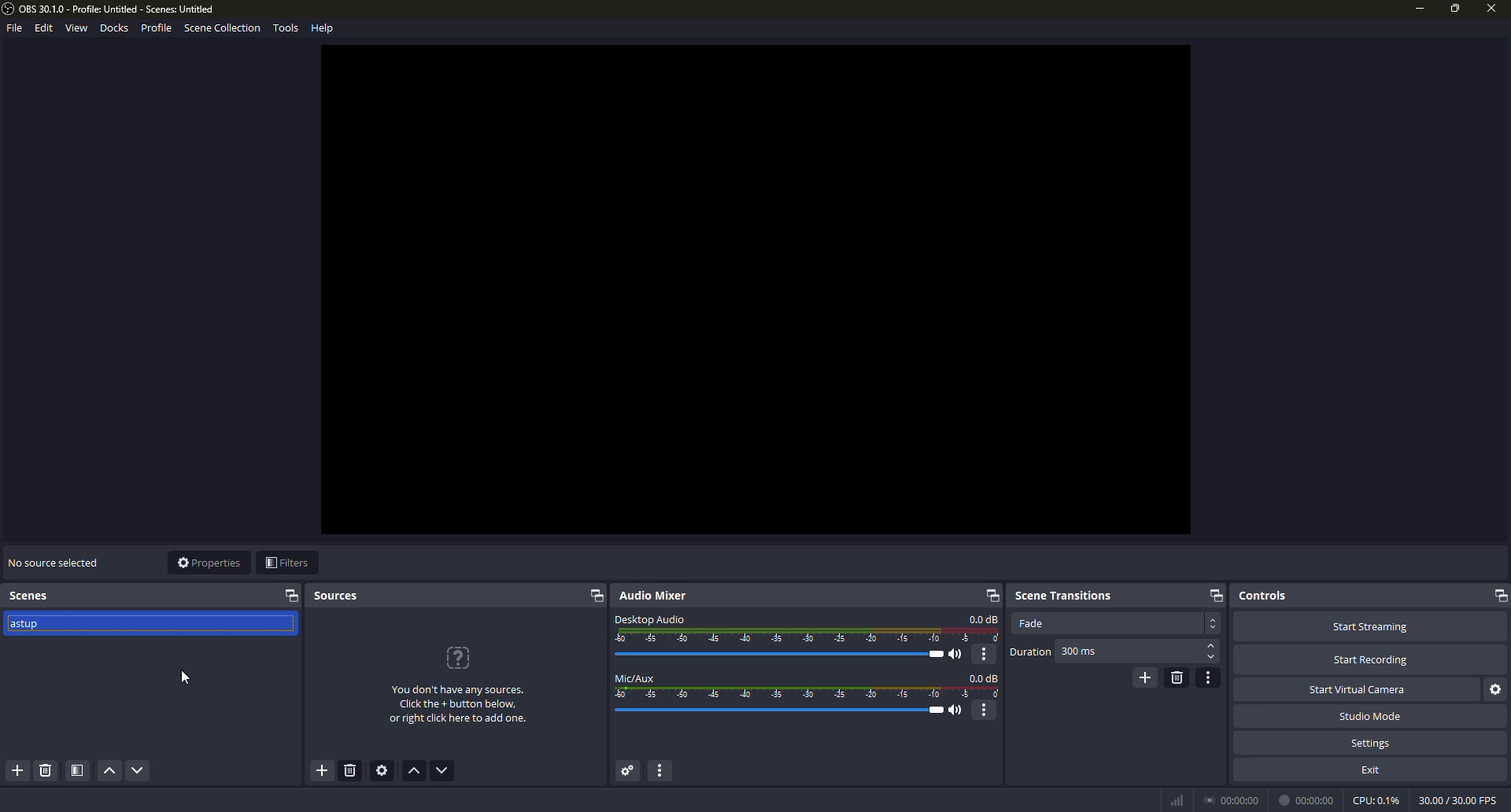  I want to click on expand, so click(989, 595).